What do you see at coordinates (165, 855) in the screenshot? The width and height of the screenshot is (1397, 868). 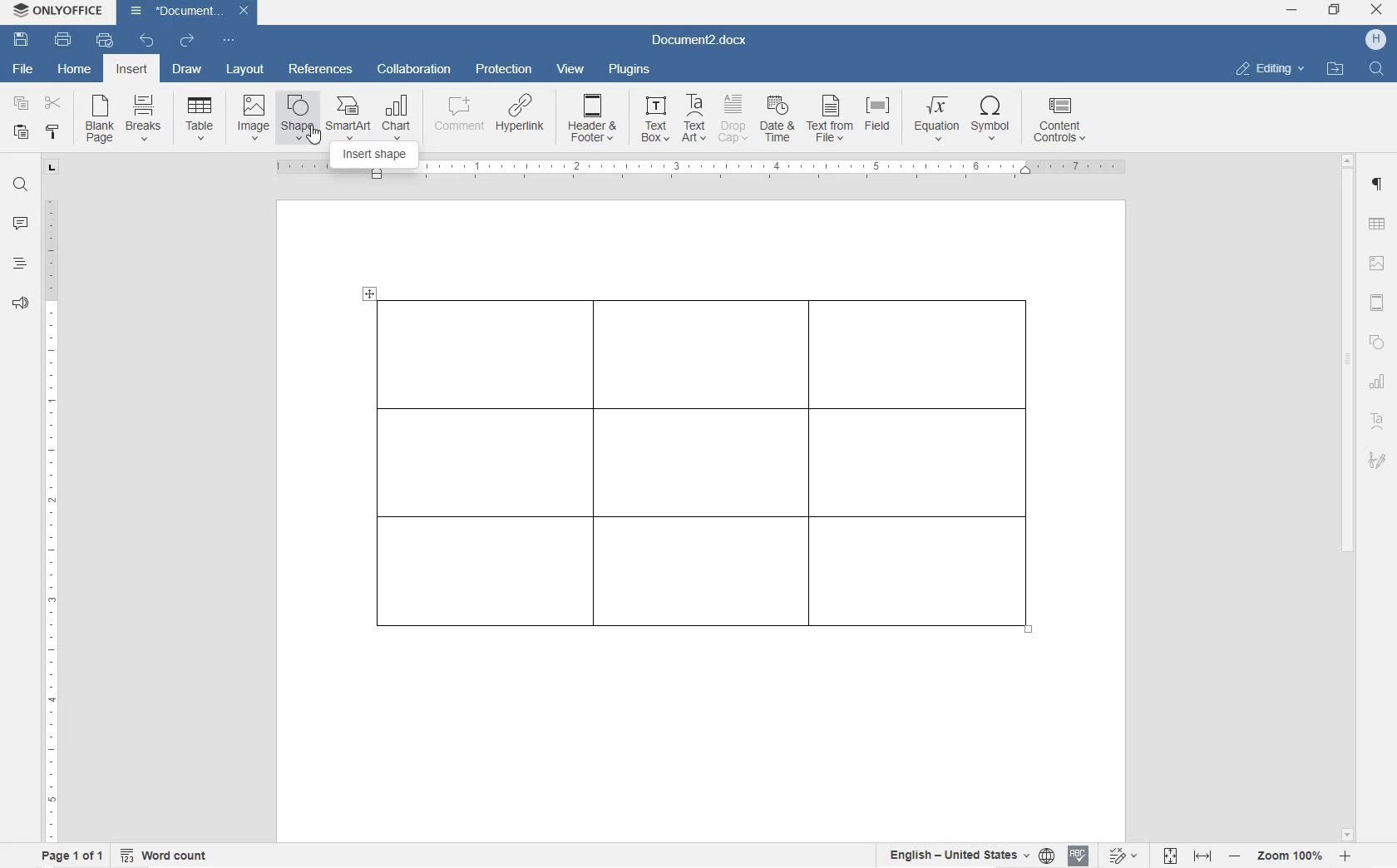 I see `word count` at bounding box center [165, 855].